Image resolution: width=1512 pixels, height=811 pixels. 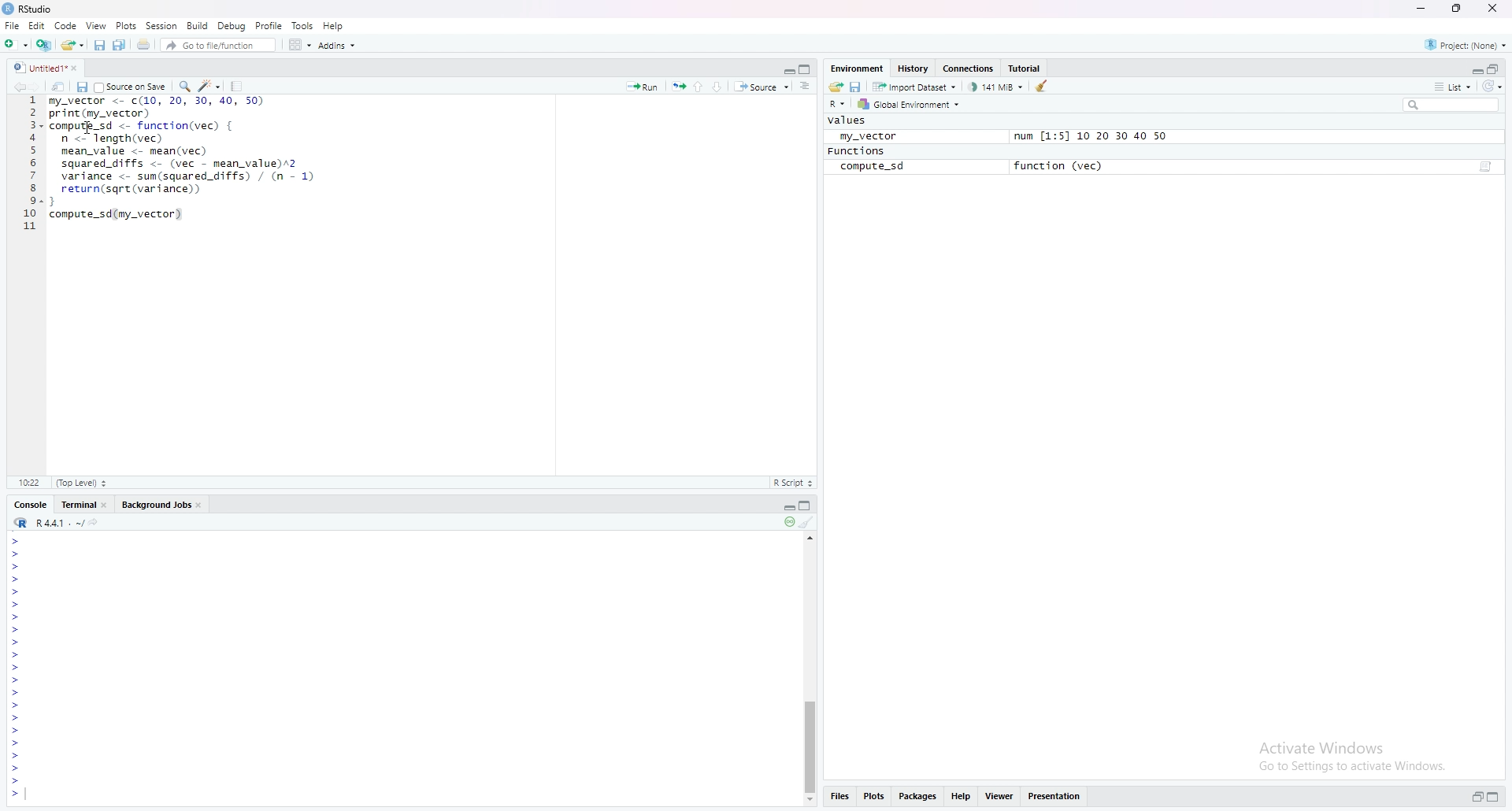 What do you see at coordinates (785, 506) in the screenshot?
I see `Minimize` at bounding box center [785, 506].